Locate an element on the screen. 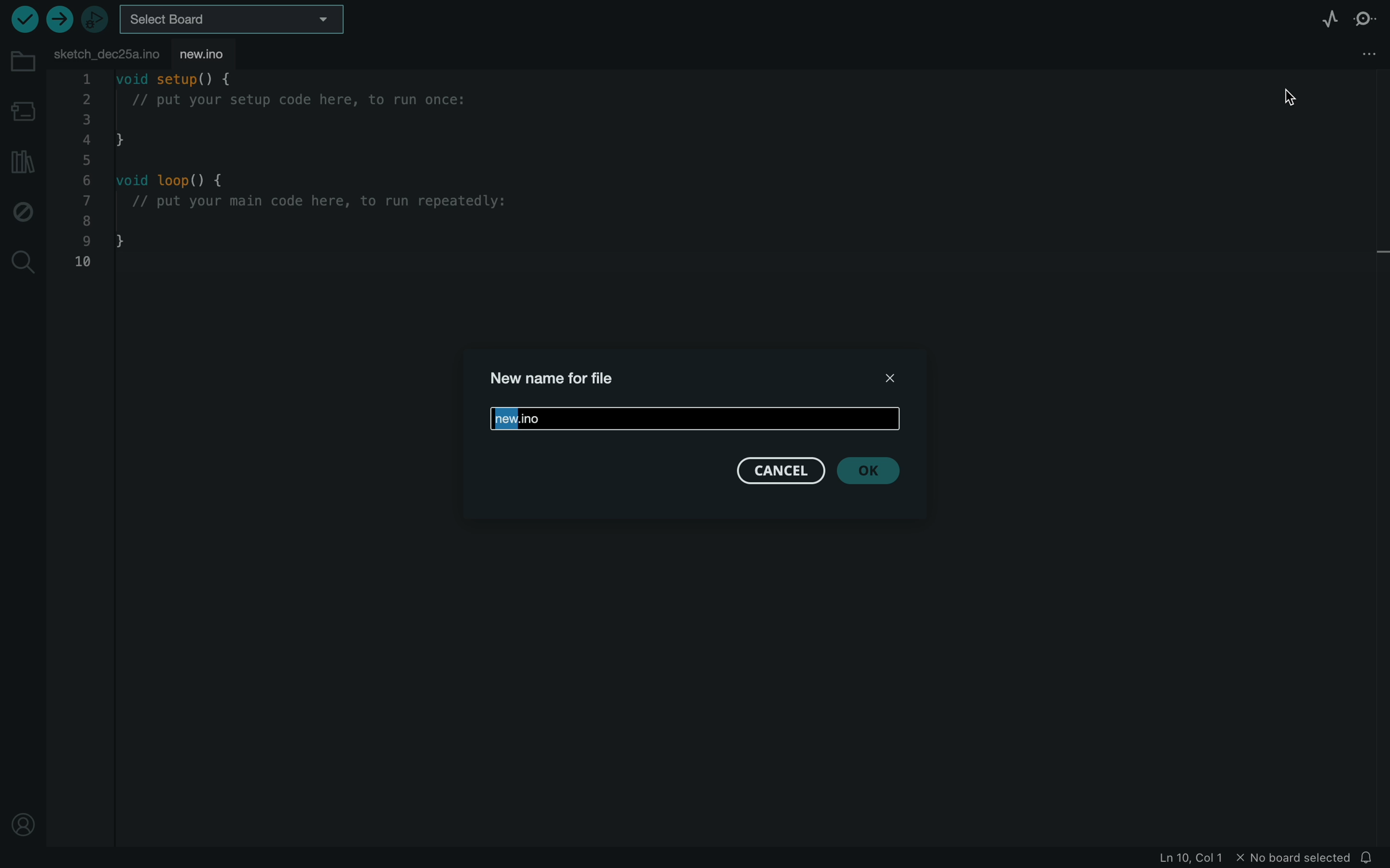 The width and height of the screenshot is (1390, 868). upload is located at coordinates (59, 19).